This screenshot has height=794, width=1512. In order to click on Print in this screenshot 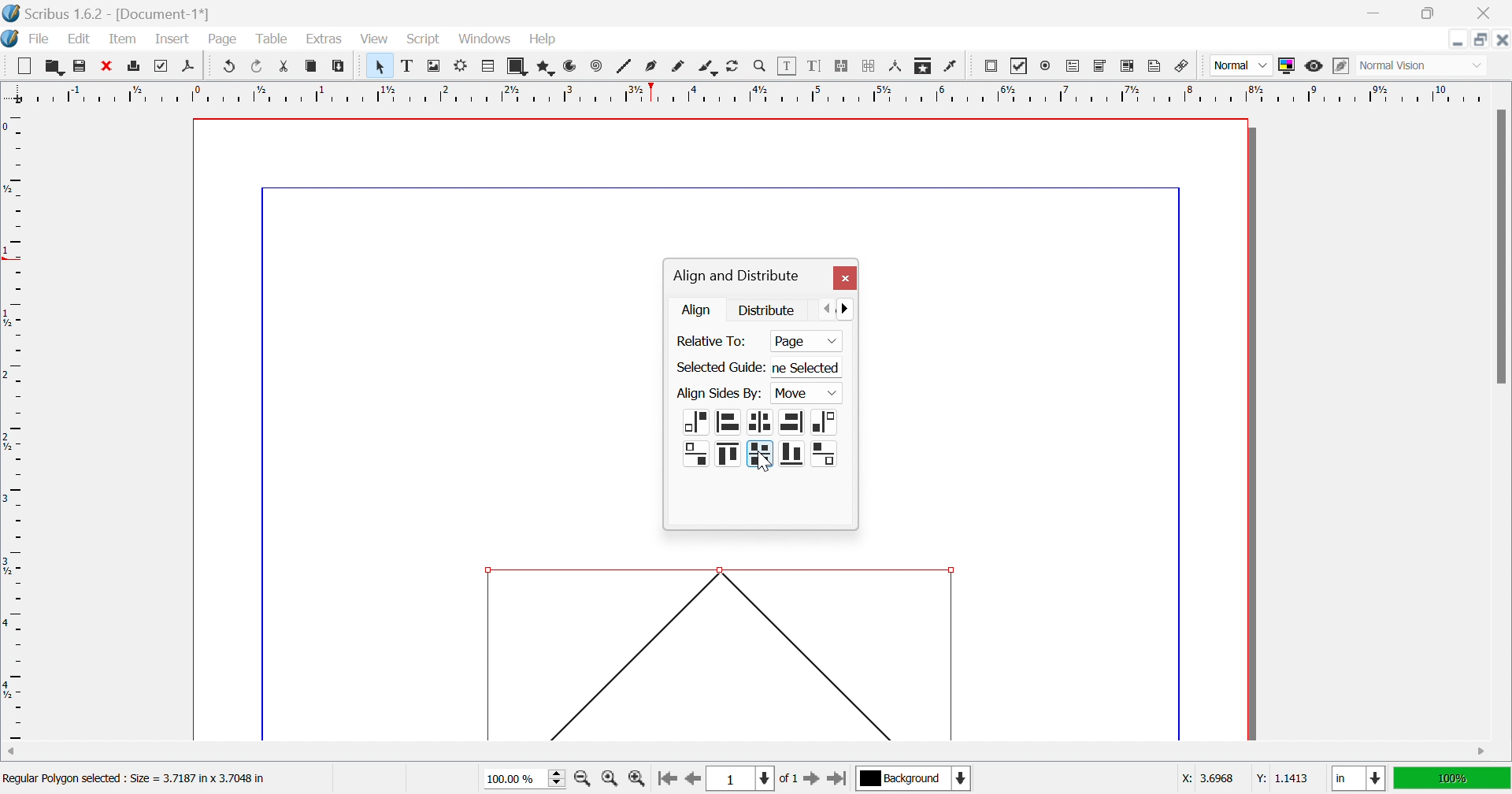, I will do `click(135, 66)`.